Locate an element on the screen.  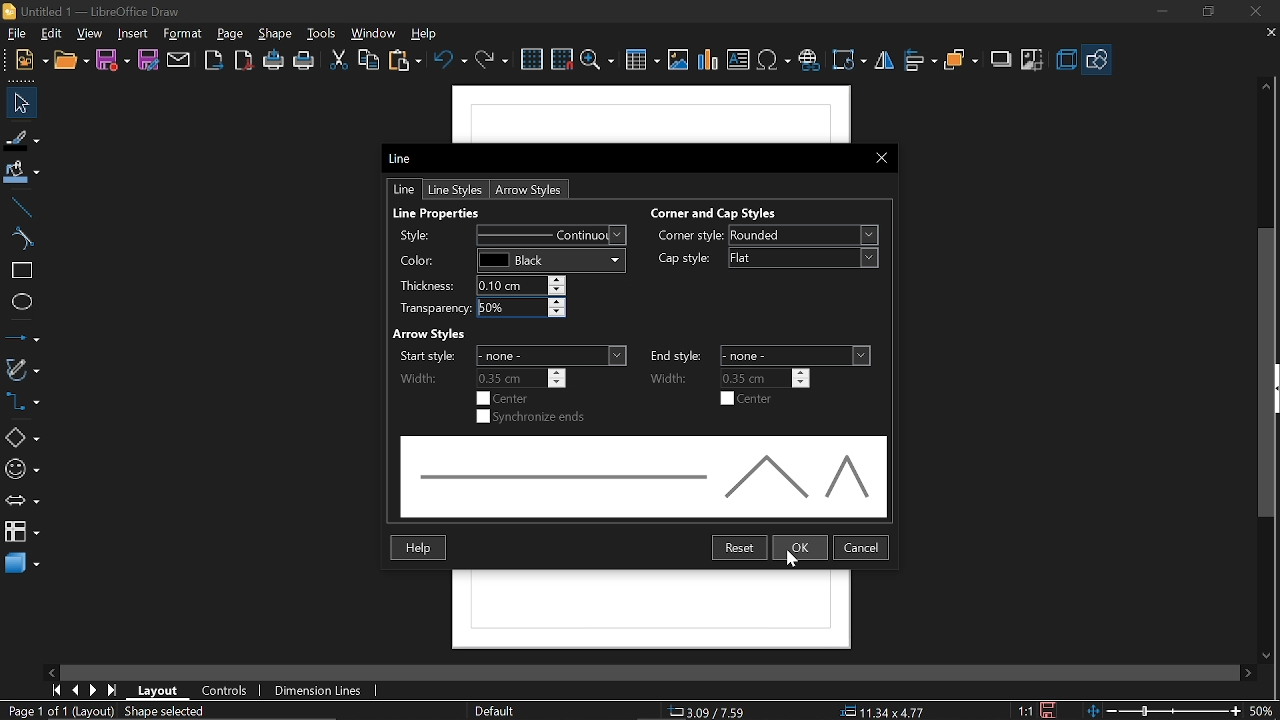
Cap style is located at coordinates (767, 258).